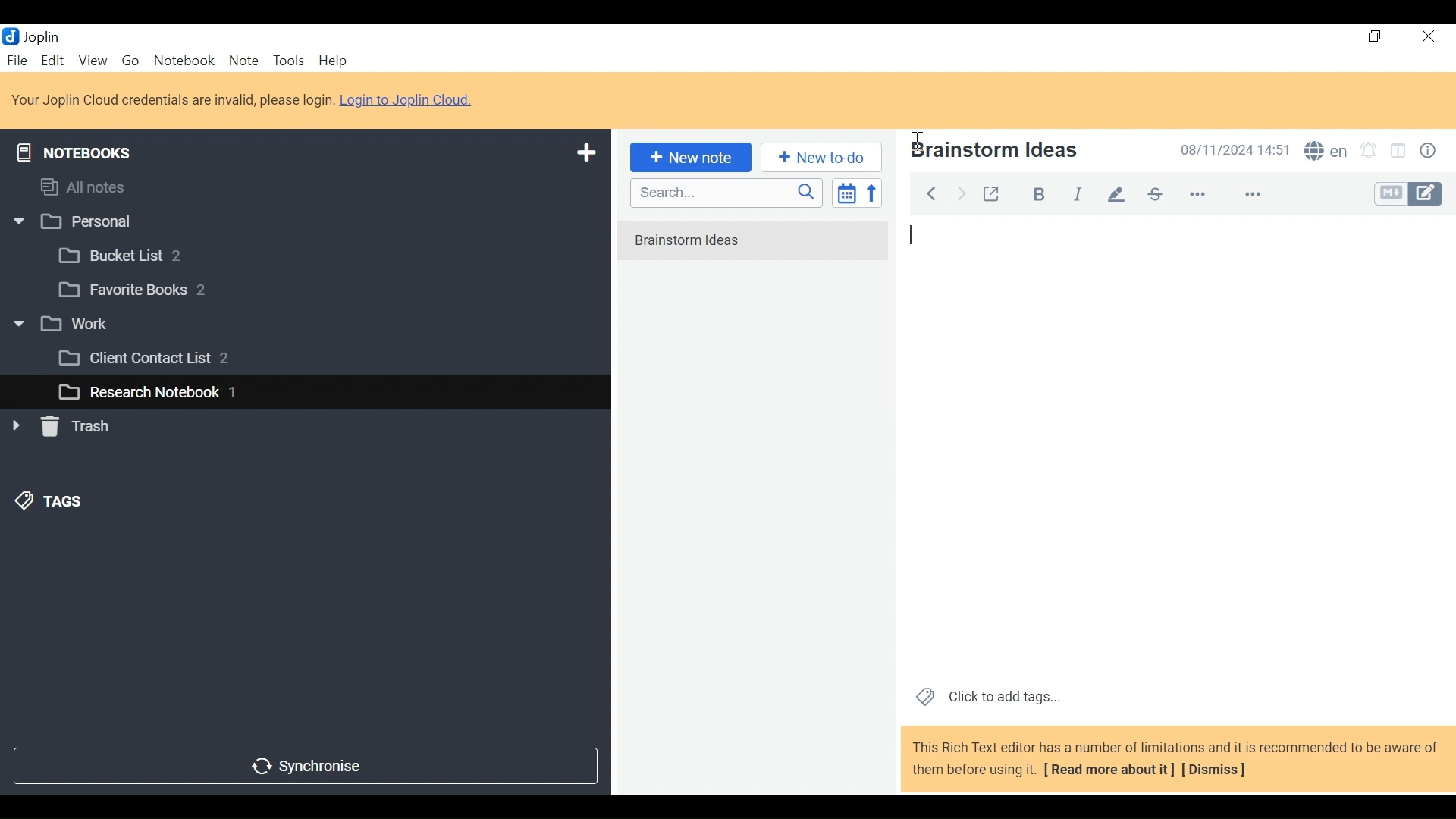 This screenshot has width=1456, height=819. Describe the element at coordinates (411, 100) in the screenshot. I see `Login to Joplin Cloud` at that location.